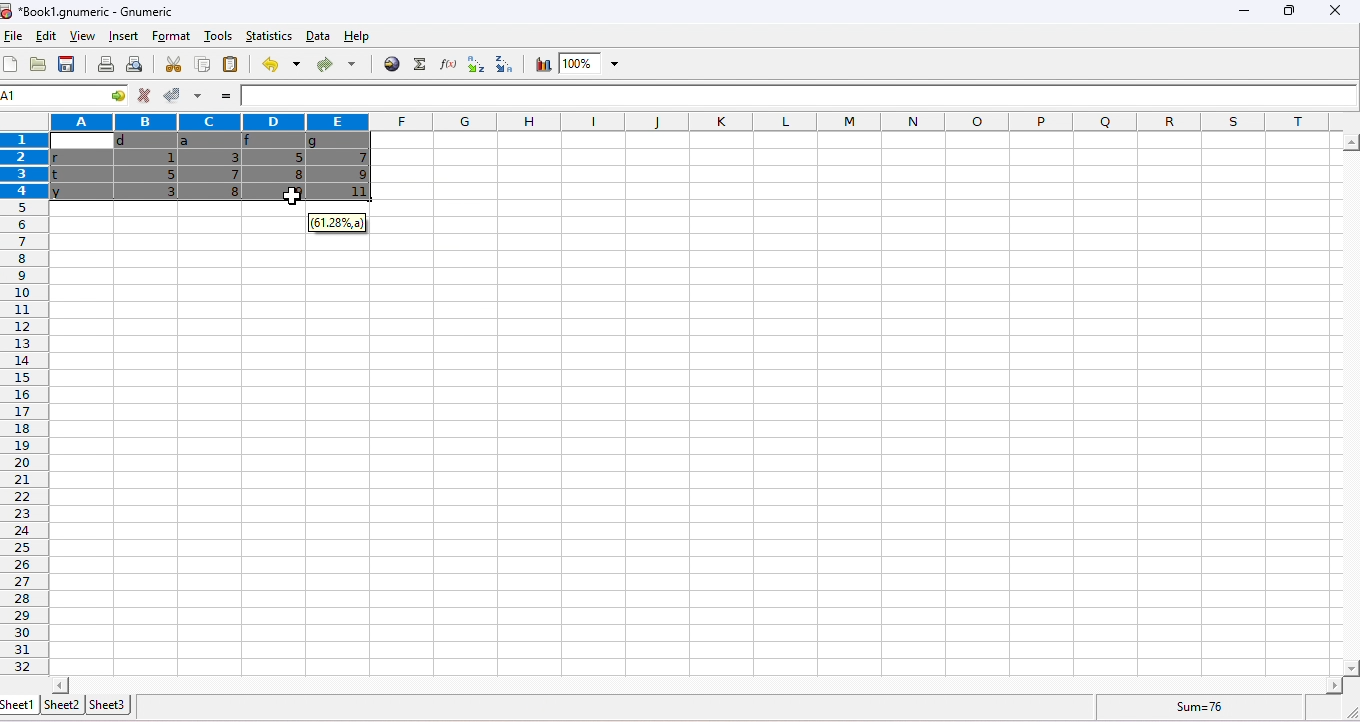 The height and width of the screenshot is (722, 1360). What do you see at coordinates (318, 36) in the screenshot?
I see `data` at bounding box center [318, 36].